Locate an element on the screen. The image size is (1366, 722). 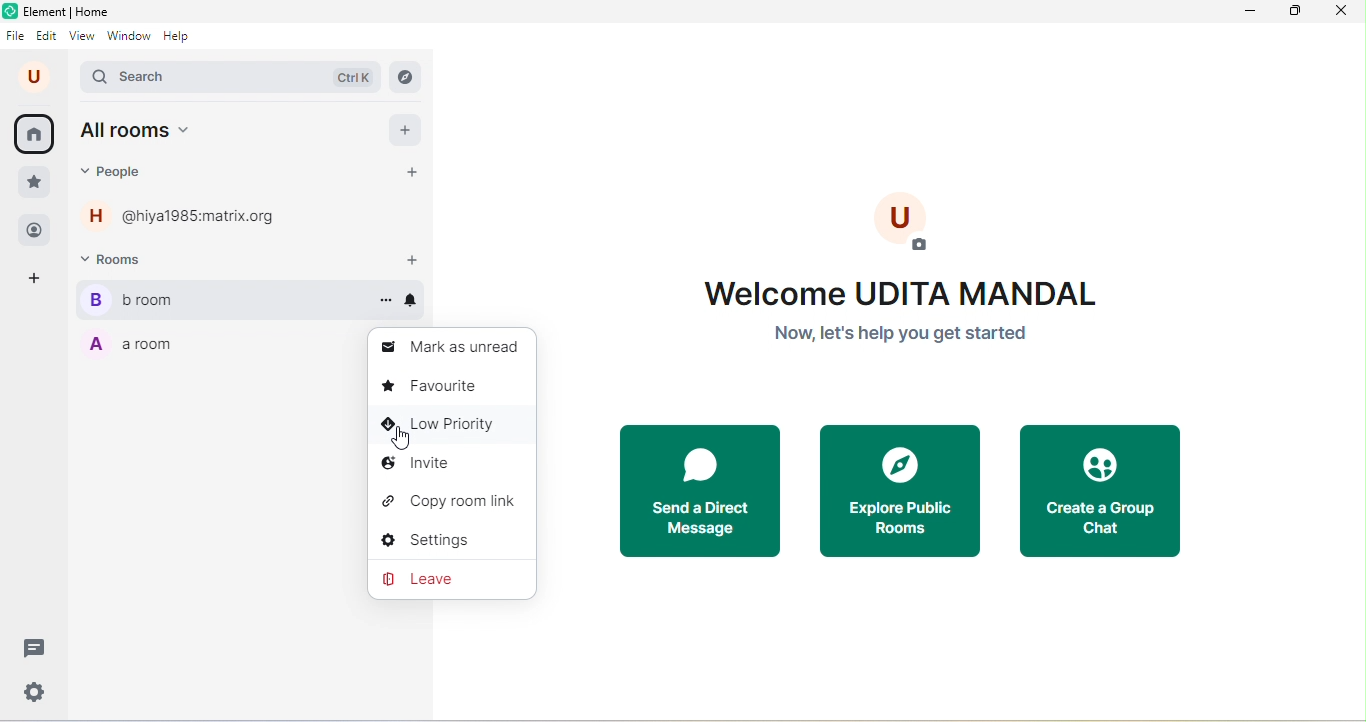
threads is located at coordinates (38, 648).